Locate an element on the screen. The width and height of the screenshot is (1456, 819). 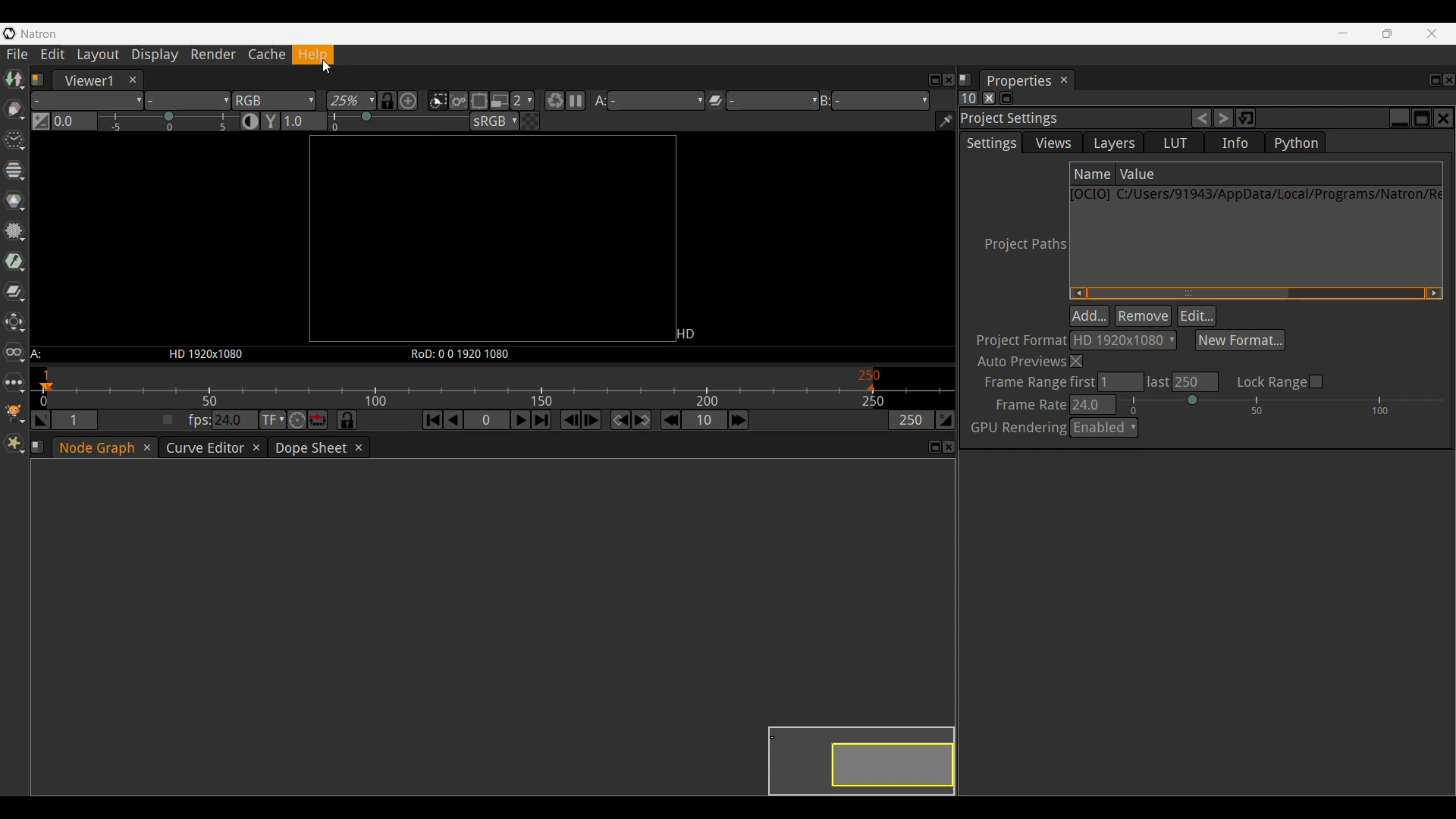
Undo is located at coordinates (1201, 118).